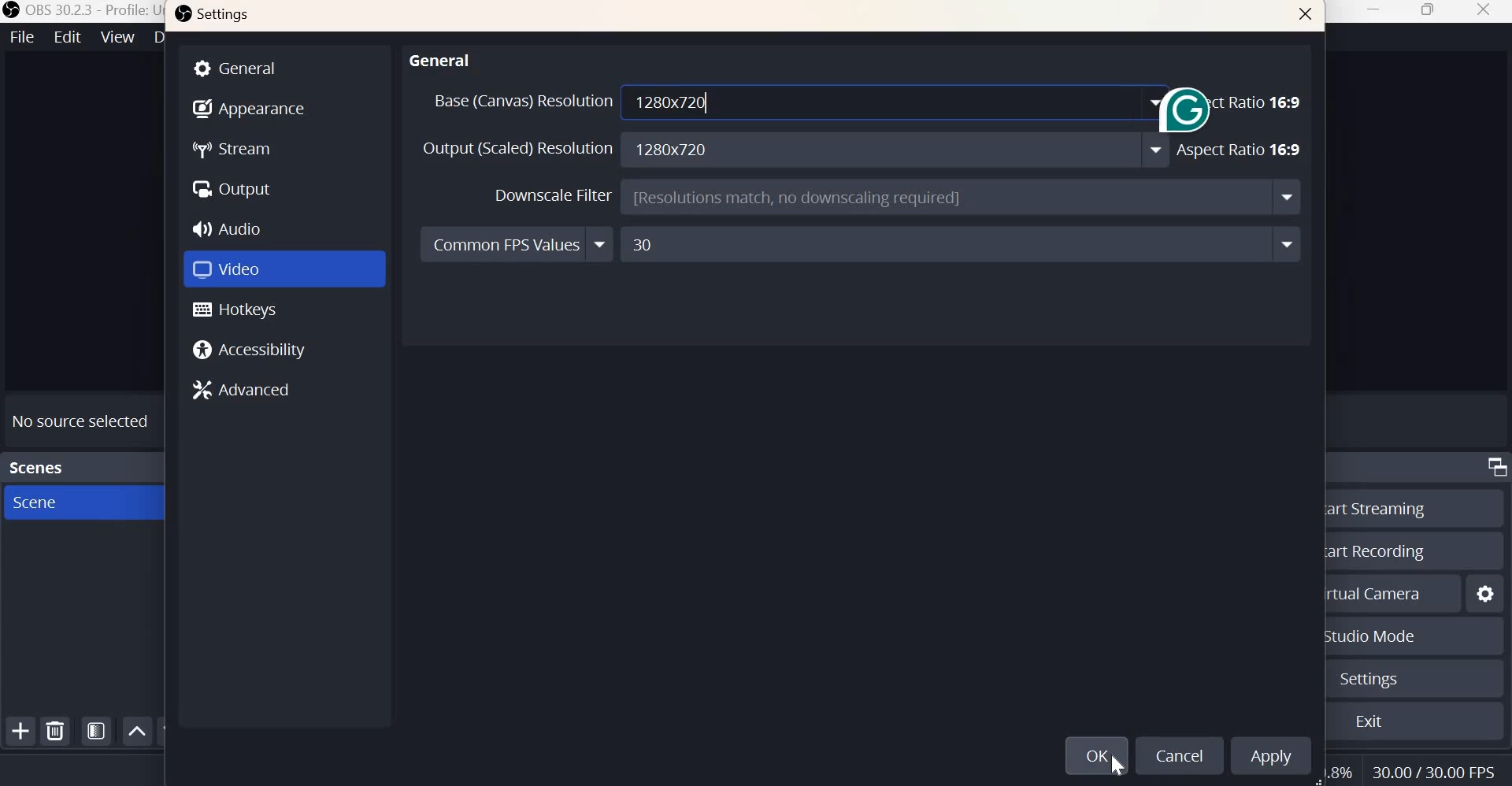  What do you see at coordinates (249, 106) in the screenshot?
I see `Appearance` at bounding box center [249, 106].